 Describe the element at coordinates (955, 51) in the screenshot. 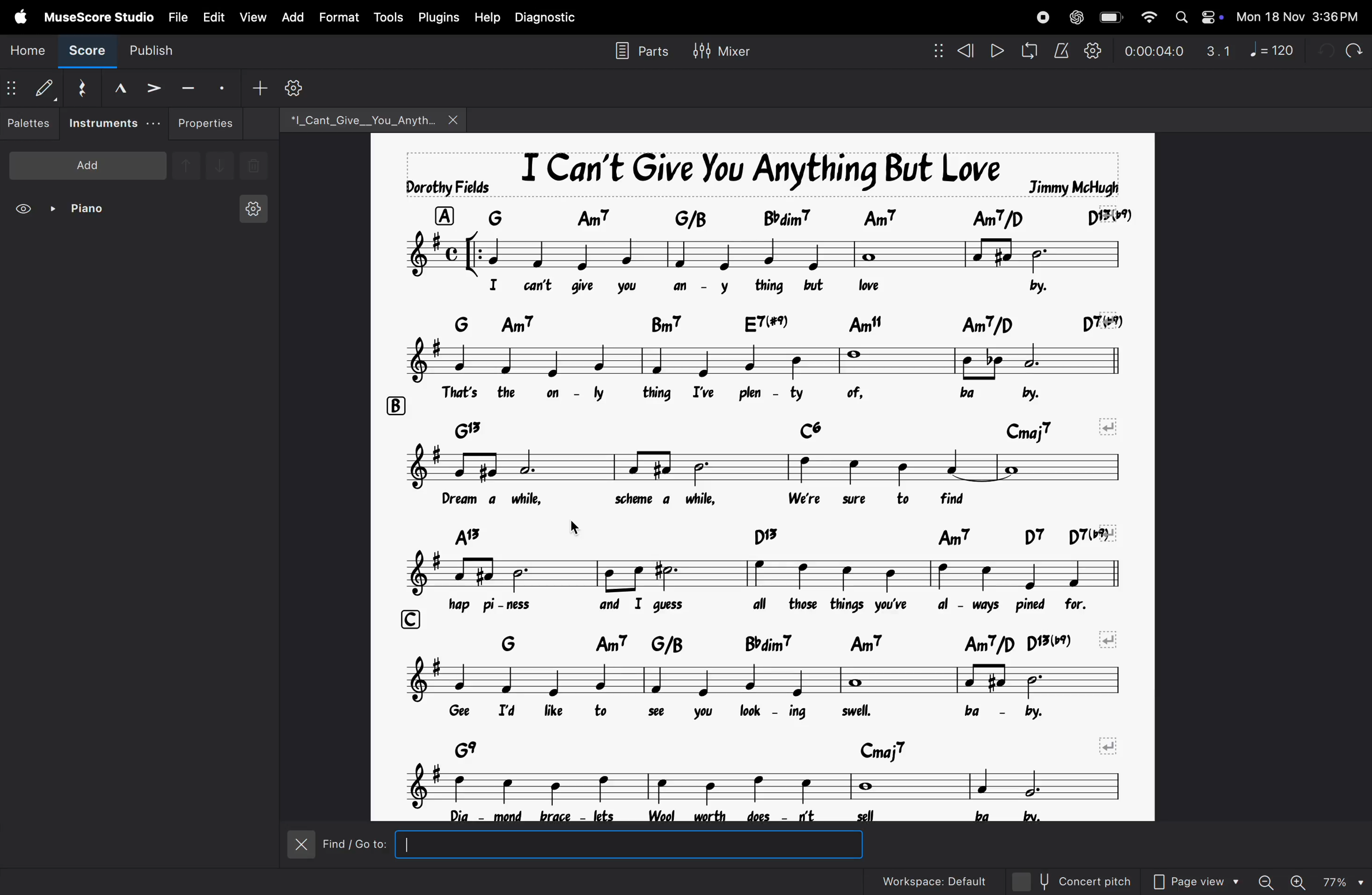

I see `rewind` at that location.